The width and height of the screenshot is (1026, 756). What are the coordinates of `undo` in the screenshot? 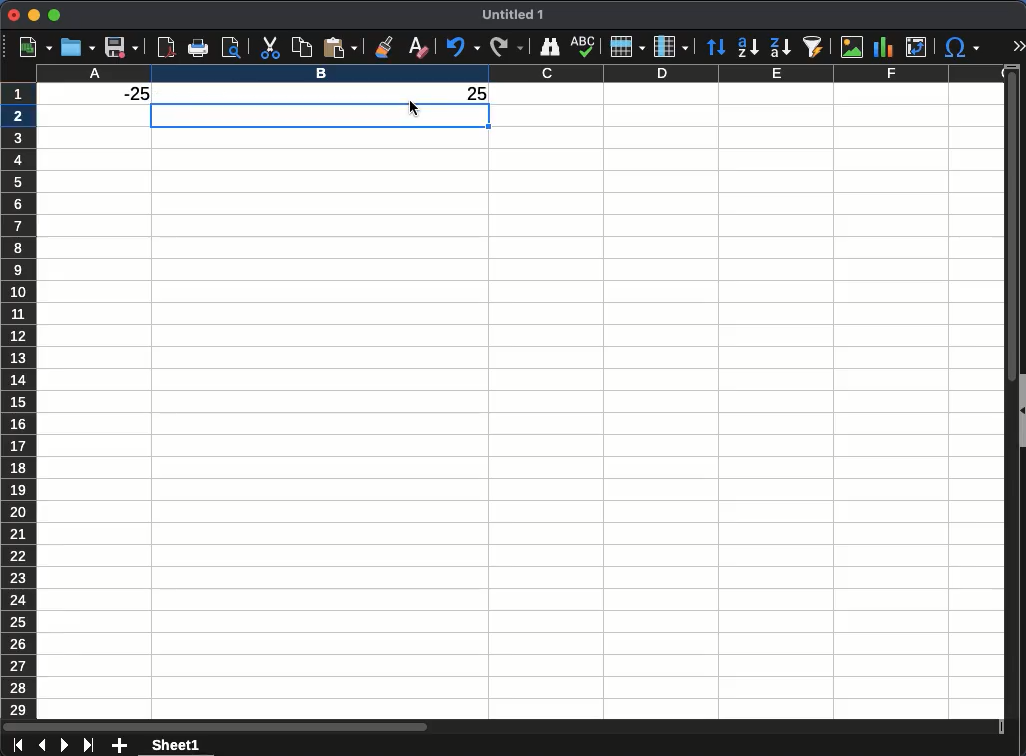 It's located at (462, 47).